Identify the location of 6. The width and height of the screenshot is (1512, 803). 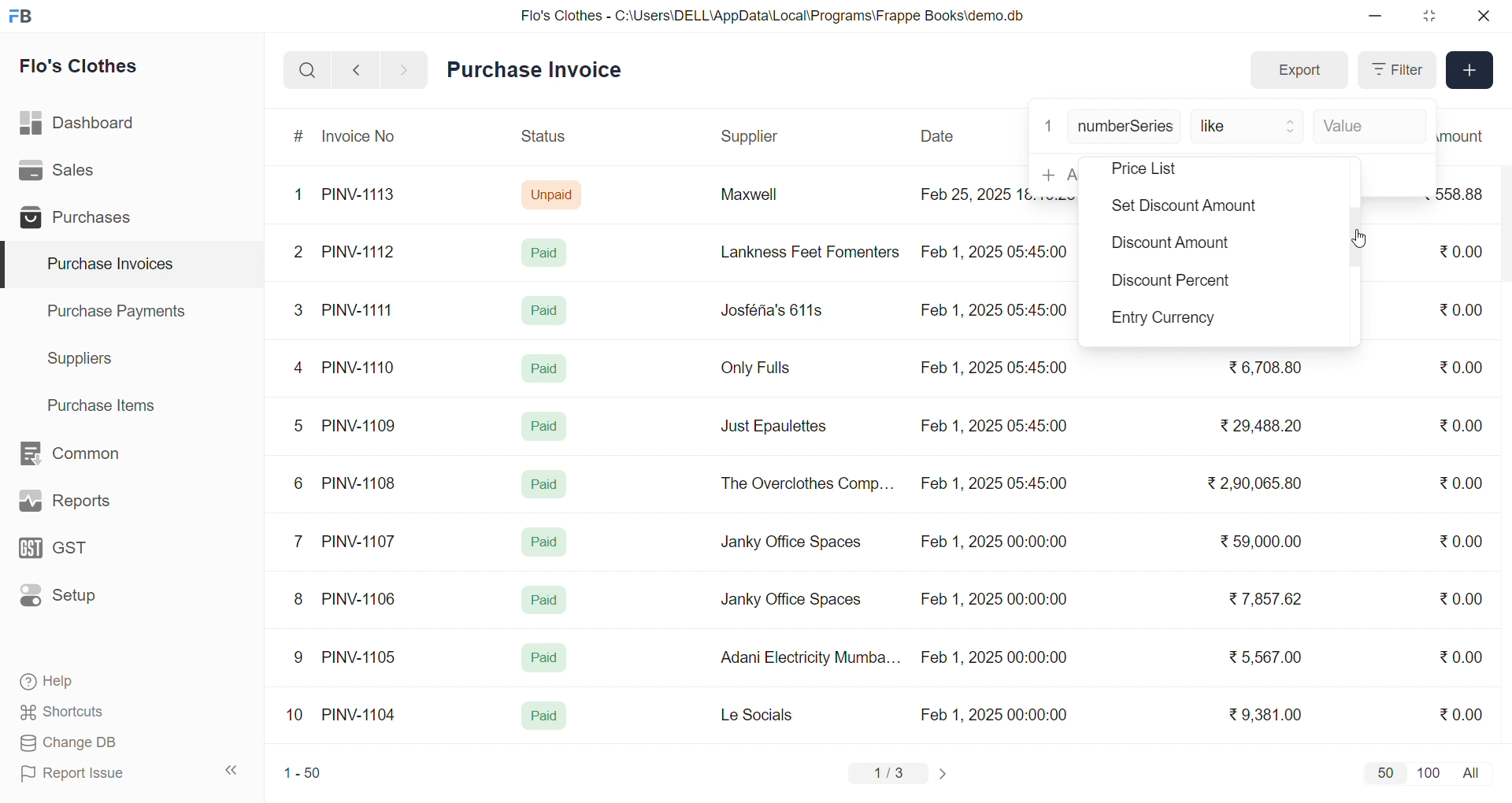
(298, 483).